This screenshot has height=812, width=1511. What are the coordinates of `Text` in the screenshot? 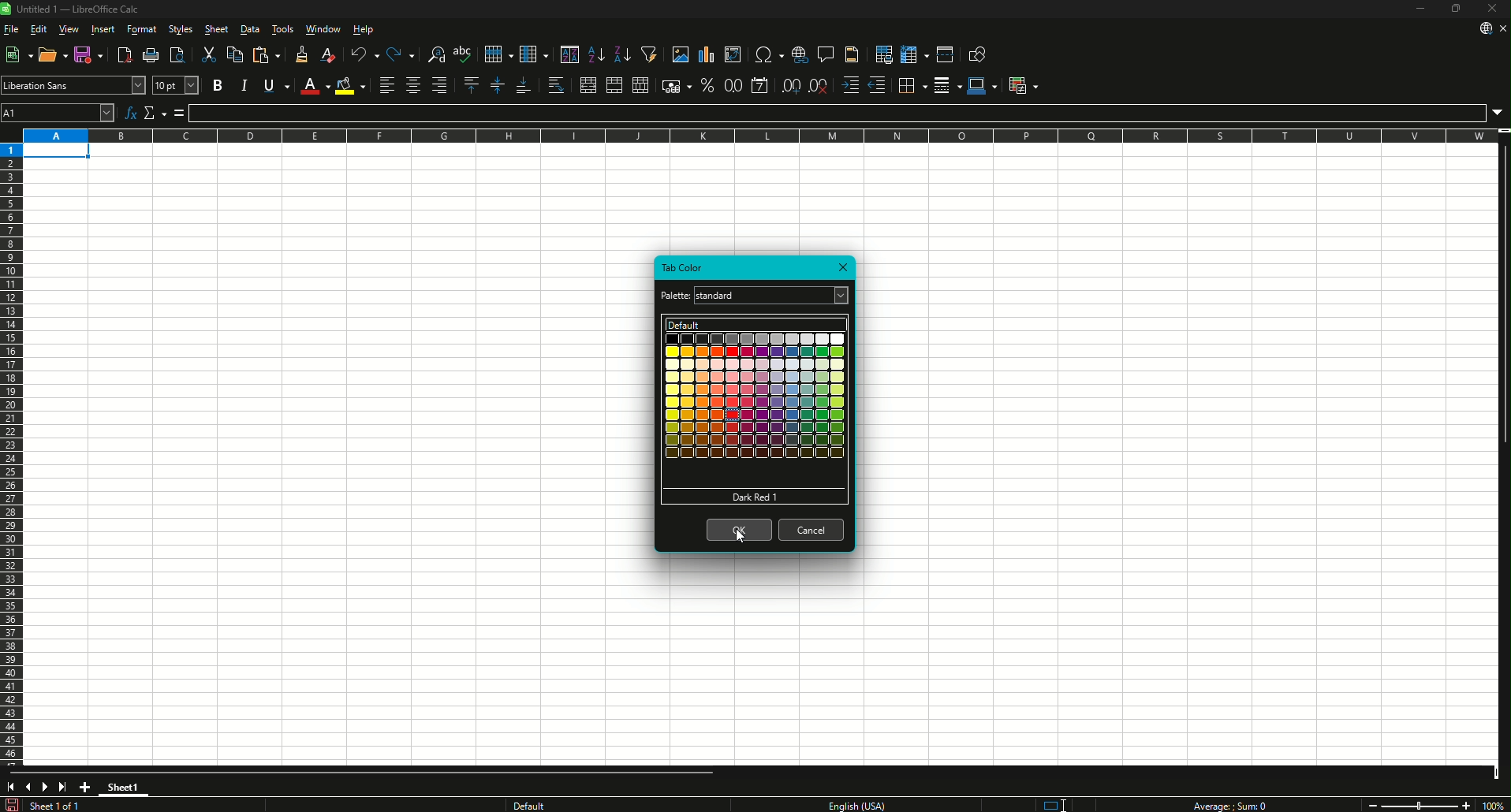 It's located at (1228, 805).